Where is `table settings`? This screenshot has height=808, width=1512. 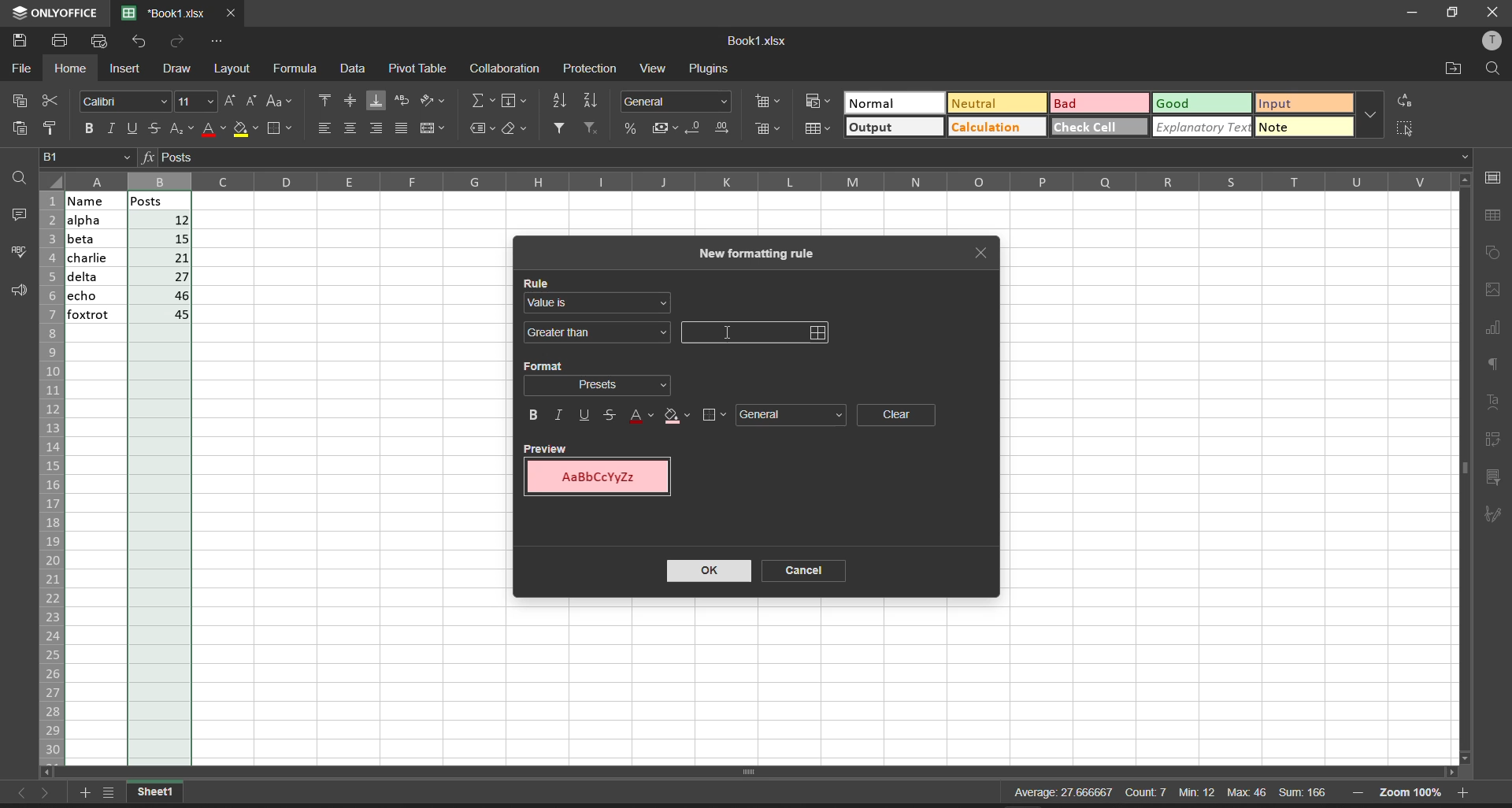
table settings is located at coordinates (1497, 216).